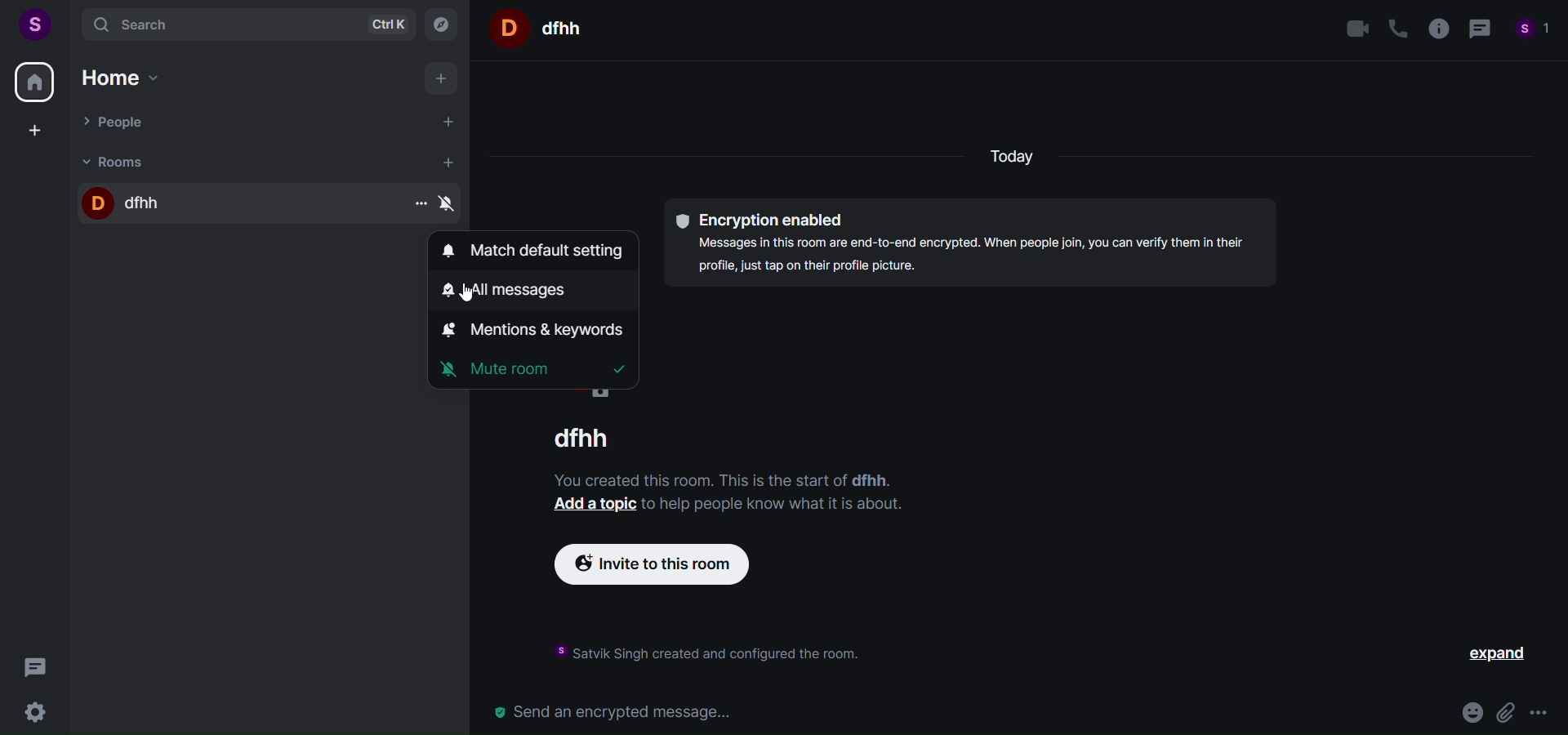 This screenshot has height=735, width=1568. I want to click on thread, so click(1481, 29).